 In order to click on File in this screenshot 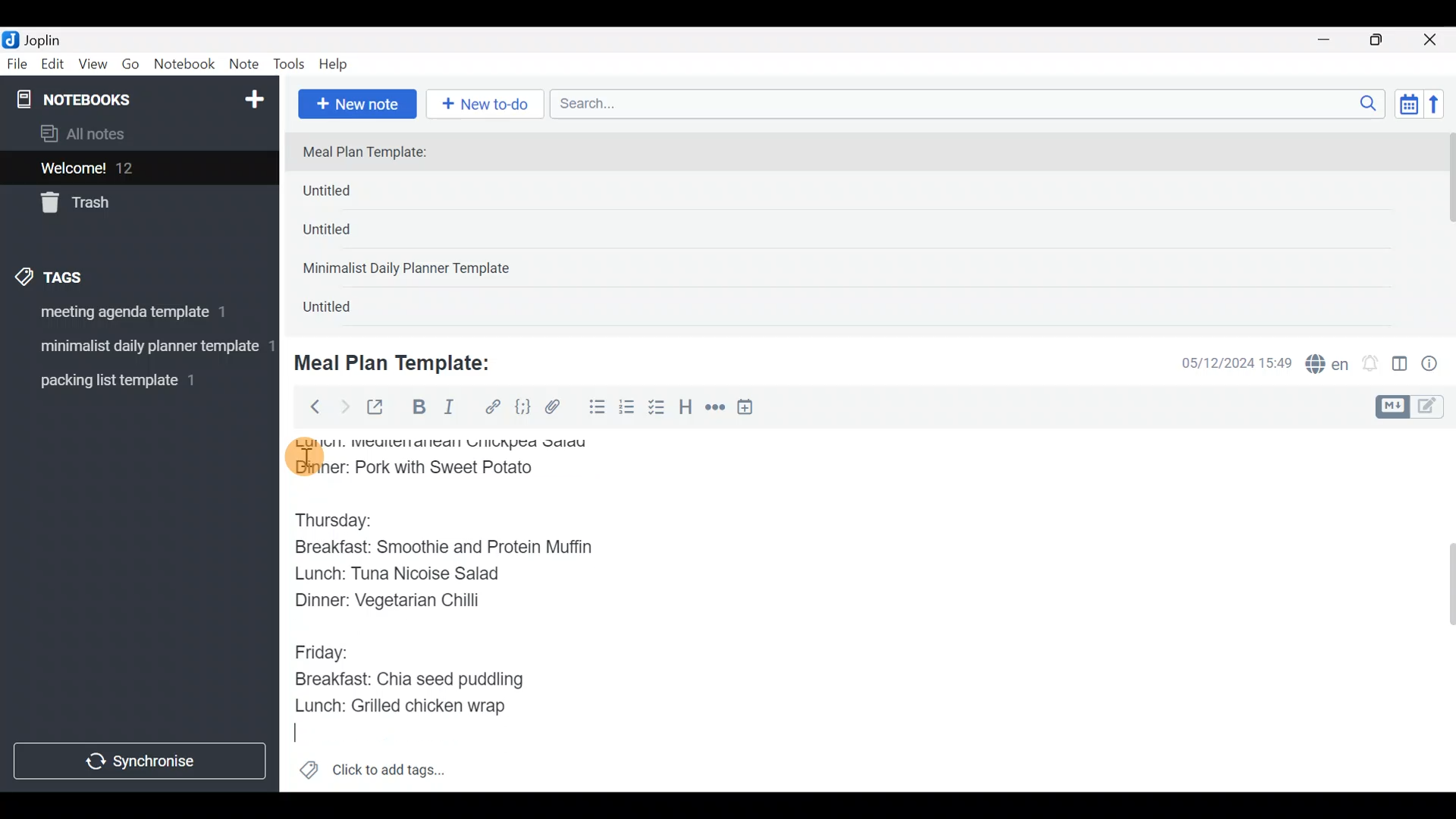, I will do `click(18, 64)`.